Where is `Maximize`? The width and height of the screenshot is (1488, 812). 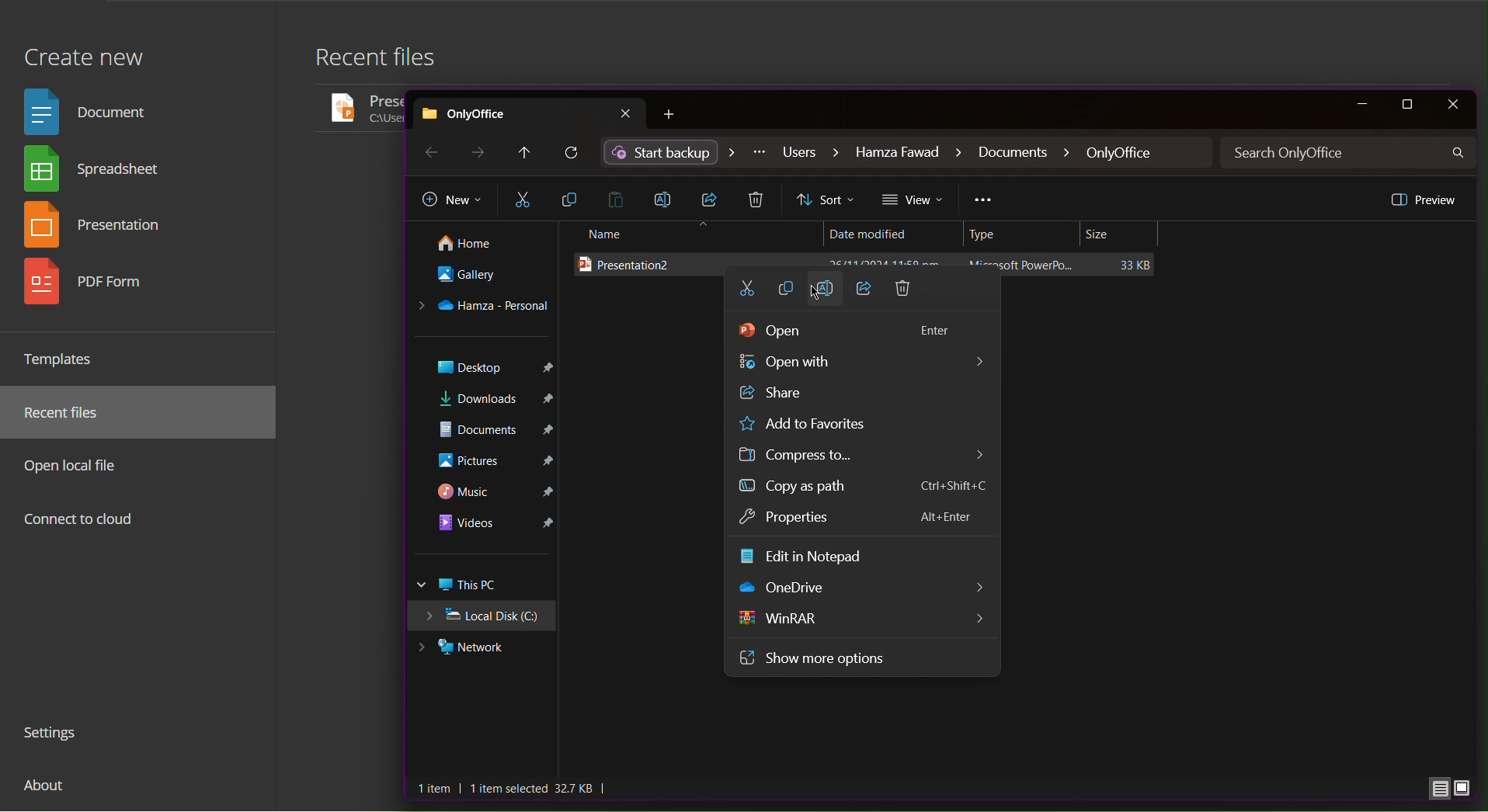 Maximize is located at coordinates (1410, 105).